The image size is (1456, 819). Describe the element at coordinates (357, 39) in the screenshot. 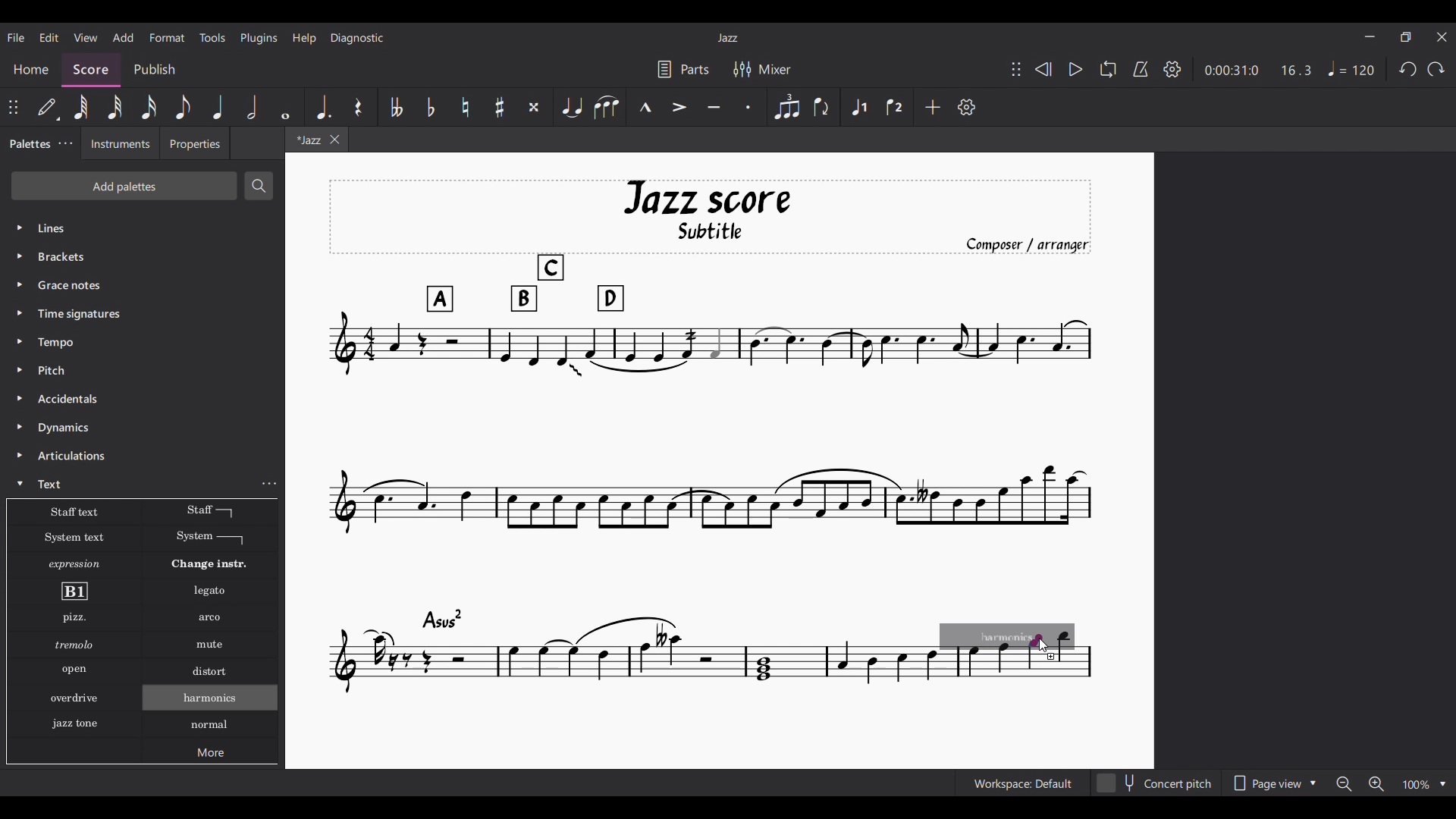

I see `Diagnostic menu` at that location.